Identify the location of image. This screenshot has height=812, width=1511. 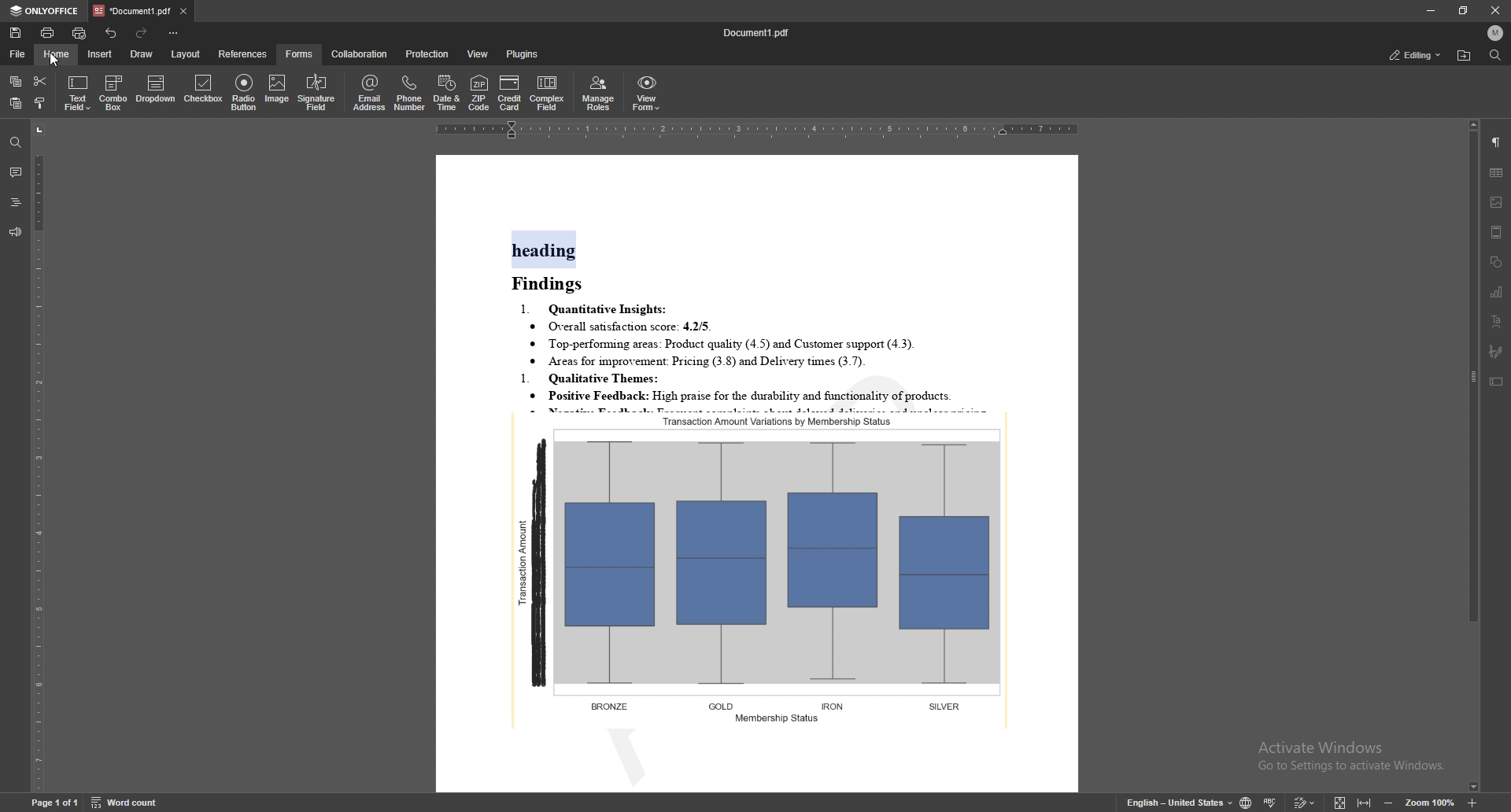
(279, 90).